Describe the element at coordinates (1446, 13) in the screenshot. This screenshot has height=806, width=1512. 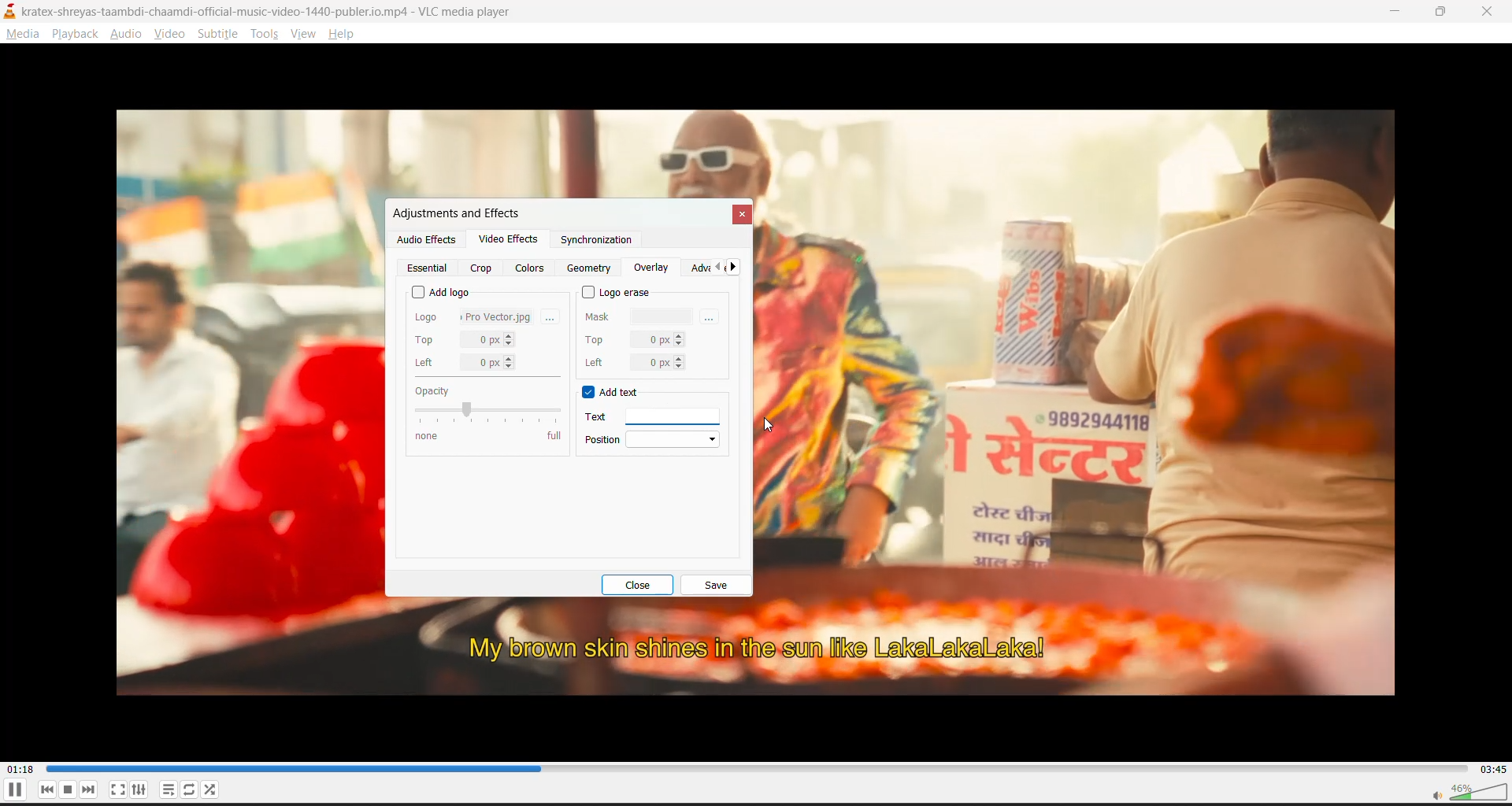
I see `maximize` at that location.